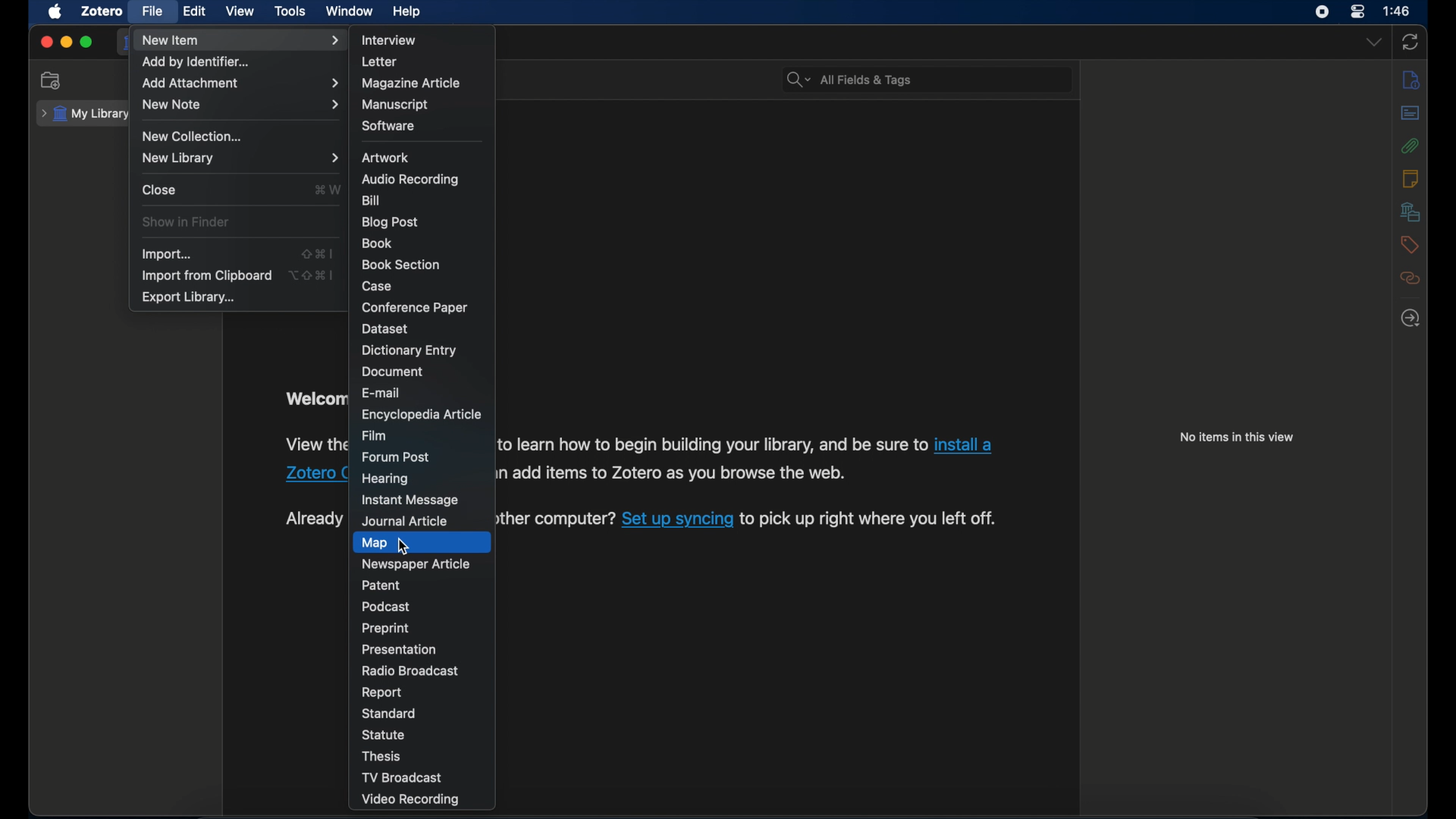 The height and width of the screenshot is (819, 1456). I want to click on related, so click(1410, 278).